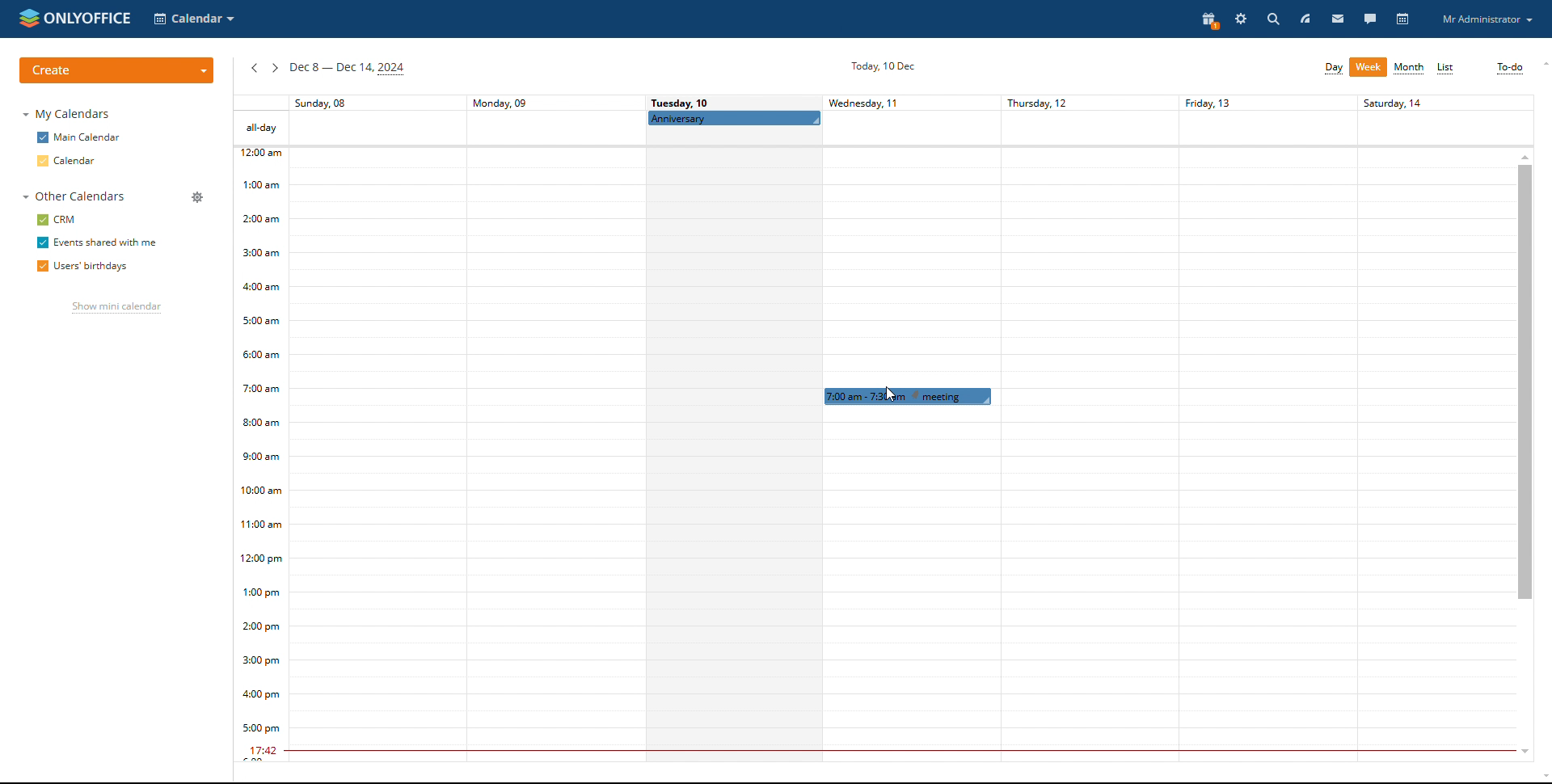  I want to click on events shared with me, so click(96, 242).